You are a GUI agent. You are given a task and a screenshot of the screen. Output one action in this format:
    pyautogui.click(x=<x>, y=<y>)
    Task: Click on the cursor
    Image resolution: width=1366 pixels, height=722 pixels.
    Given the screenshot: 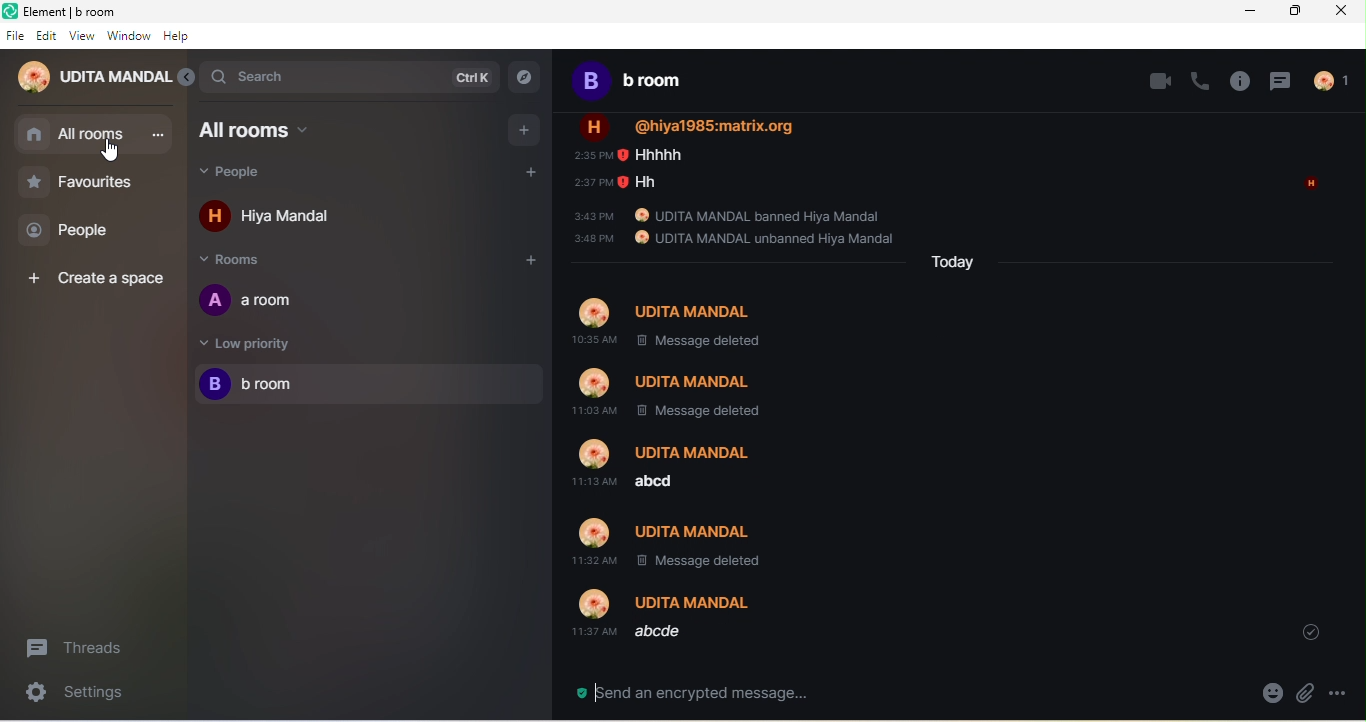 What is the action you would take?
    pyautogui.click(x=111, y=154)
    